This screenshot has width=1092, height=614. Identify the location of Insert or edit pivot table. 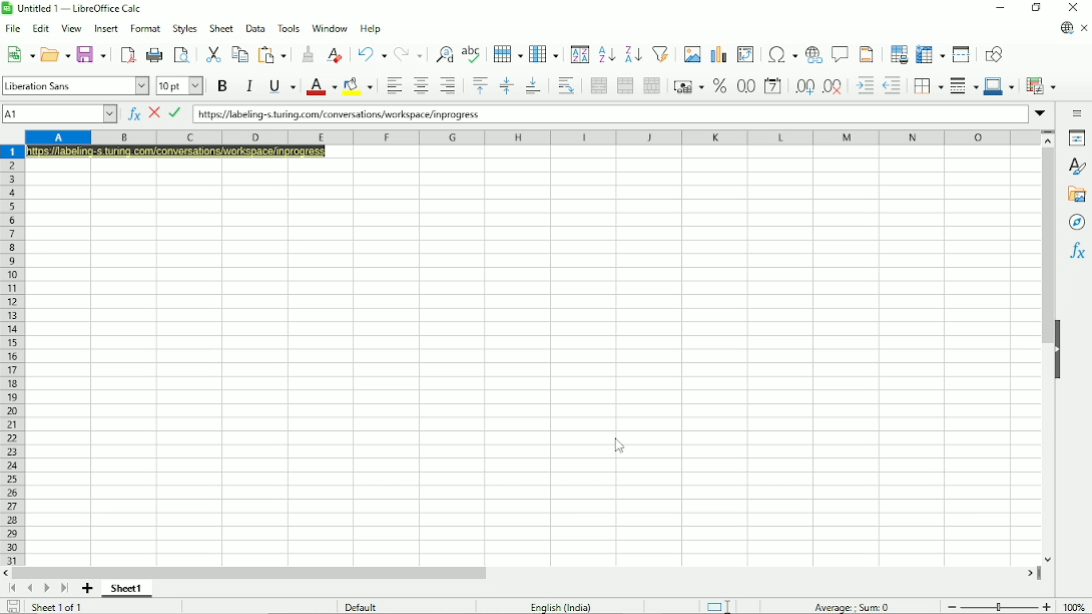
(745, 55).